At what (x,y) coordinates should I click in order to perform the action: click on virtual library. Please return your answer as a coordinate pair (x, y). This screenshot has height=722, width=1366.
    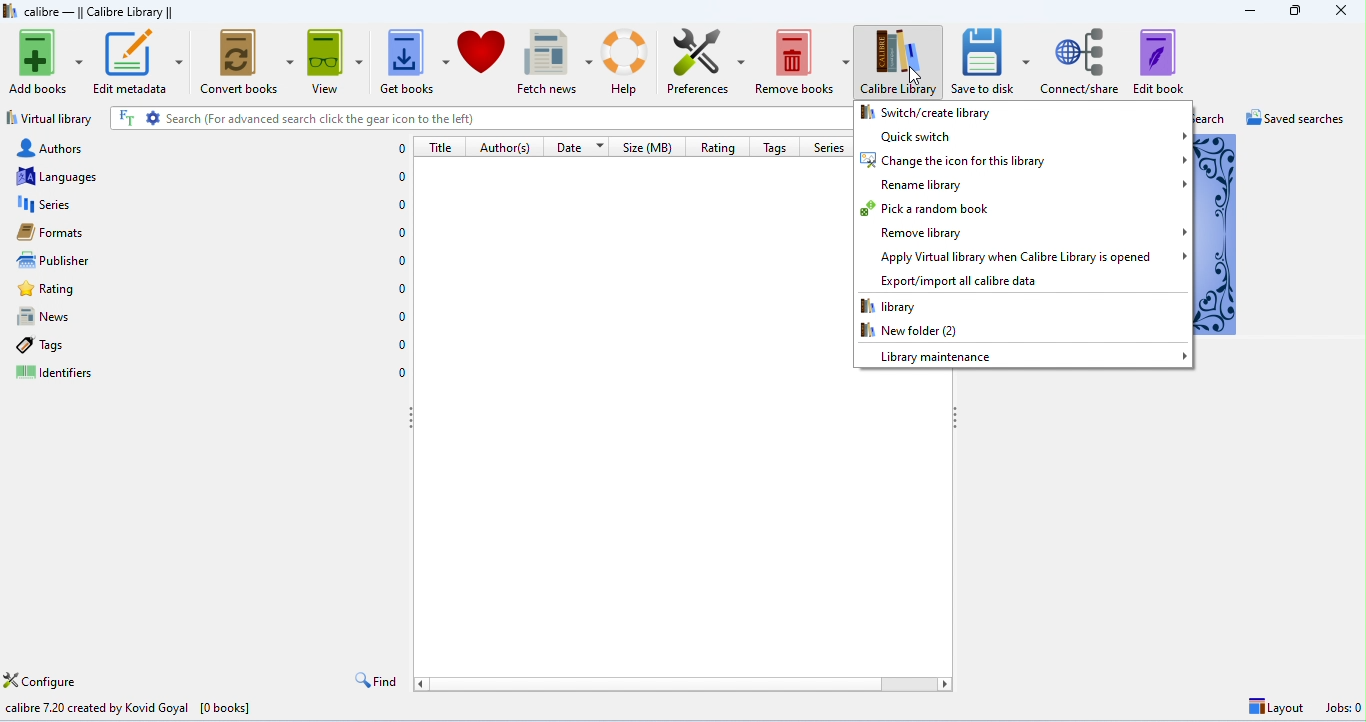
    Looking at the image, I should click on (50, 118).